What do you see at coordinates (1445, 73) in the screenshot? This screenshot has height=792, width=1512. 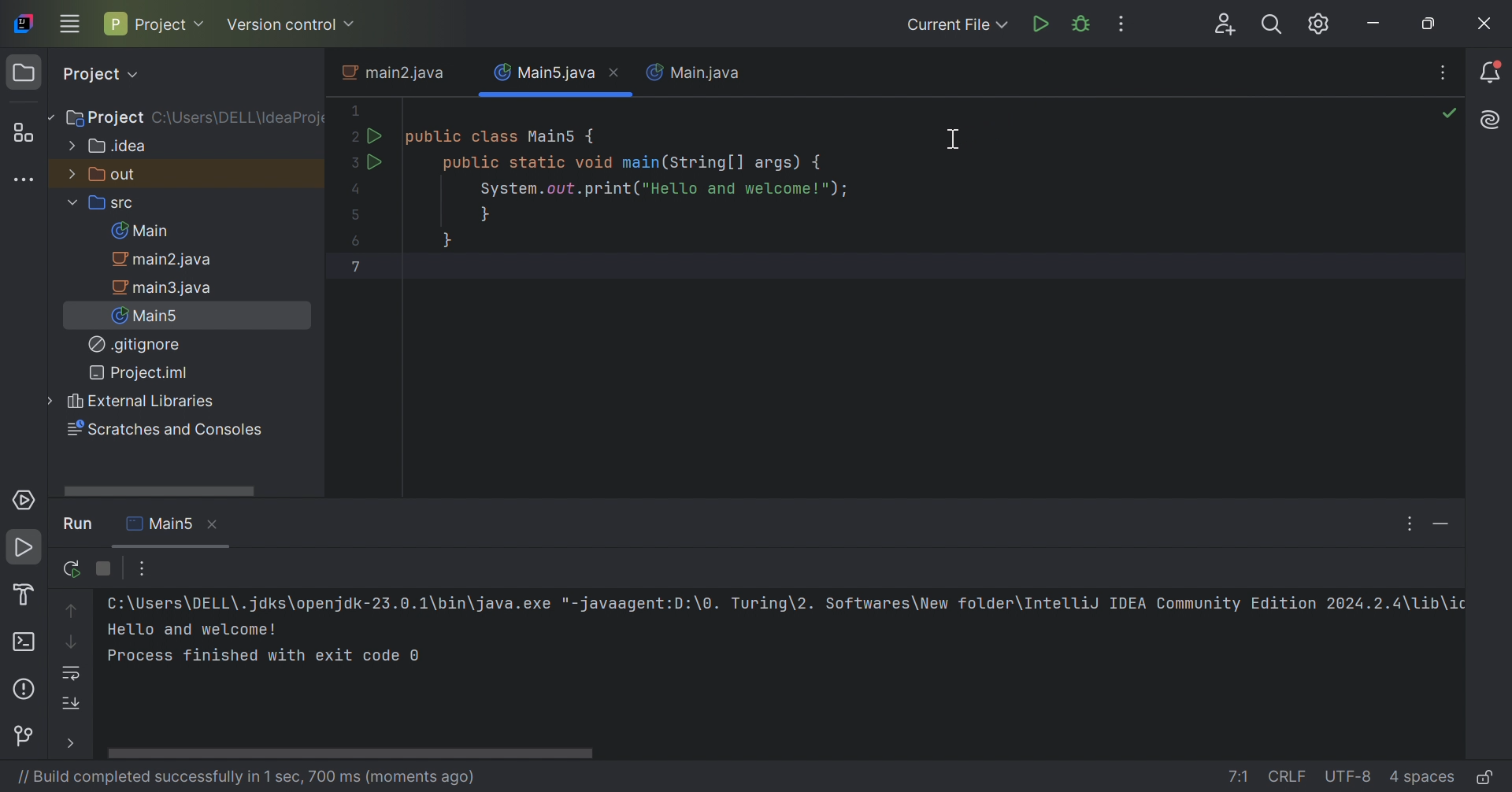 I see `Recent Files, Tab Actions, and More` at bounding box center [1445, 73].